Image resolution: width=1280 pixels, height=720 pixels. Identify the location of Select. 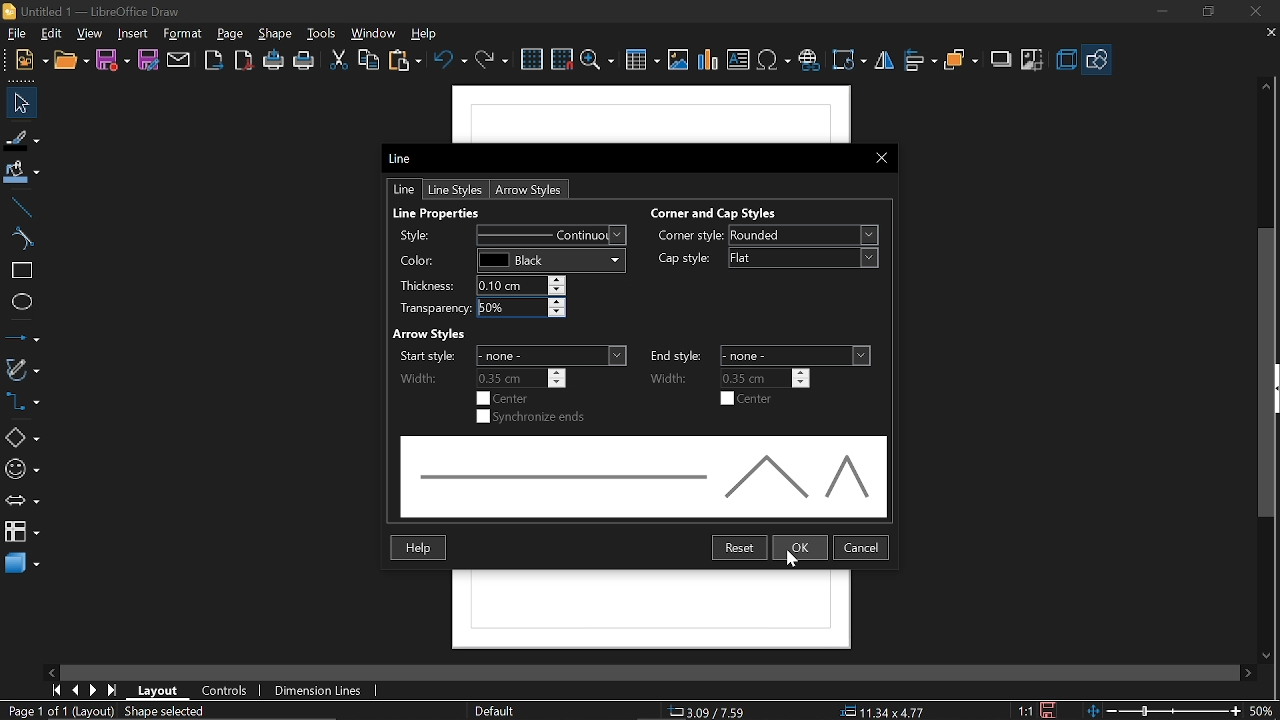
(18, 102).